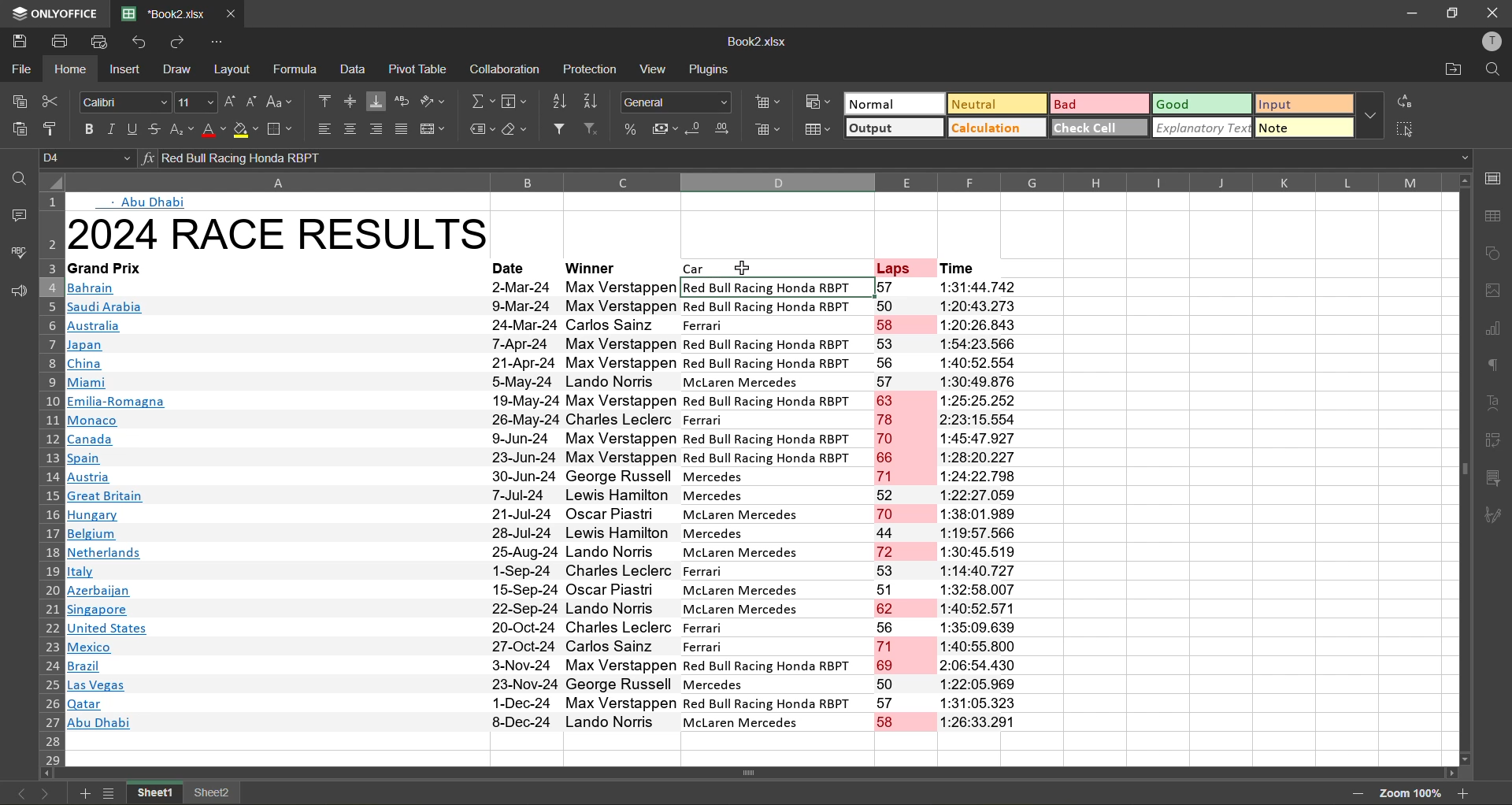  What do you see at coordinates (281, 132) in the screenshot?
I see `borders` at bounding box center [281, 132].